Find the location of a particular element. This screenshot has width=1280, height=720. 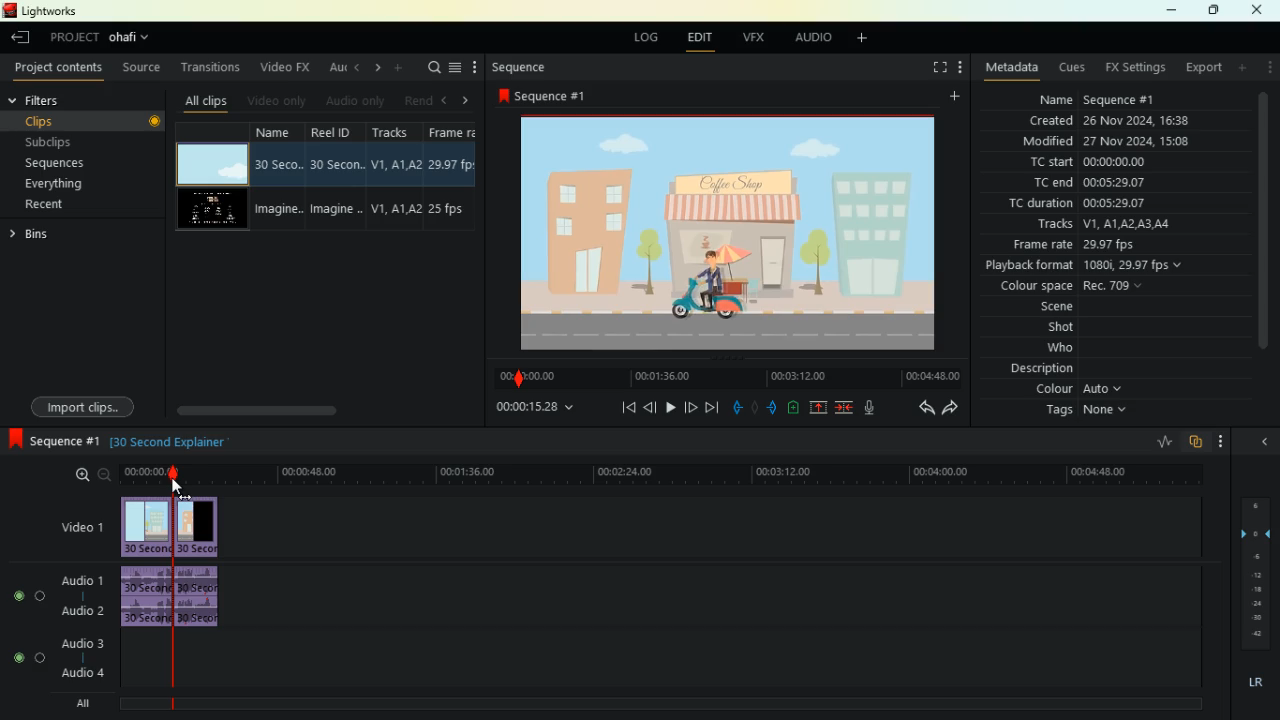

menu is located at coordinates (1266, 68).